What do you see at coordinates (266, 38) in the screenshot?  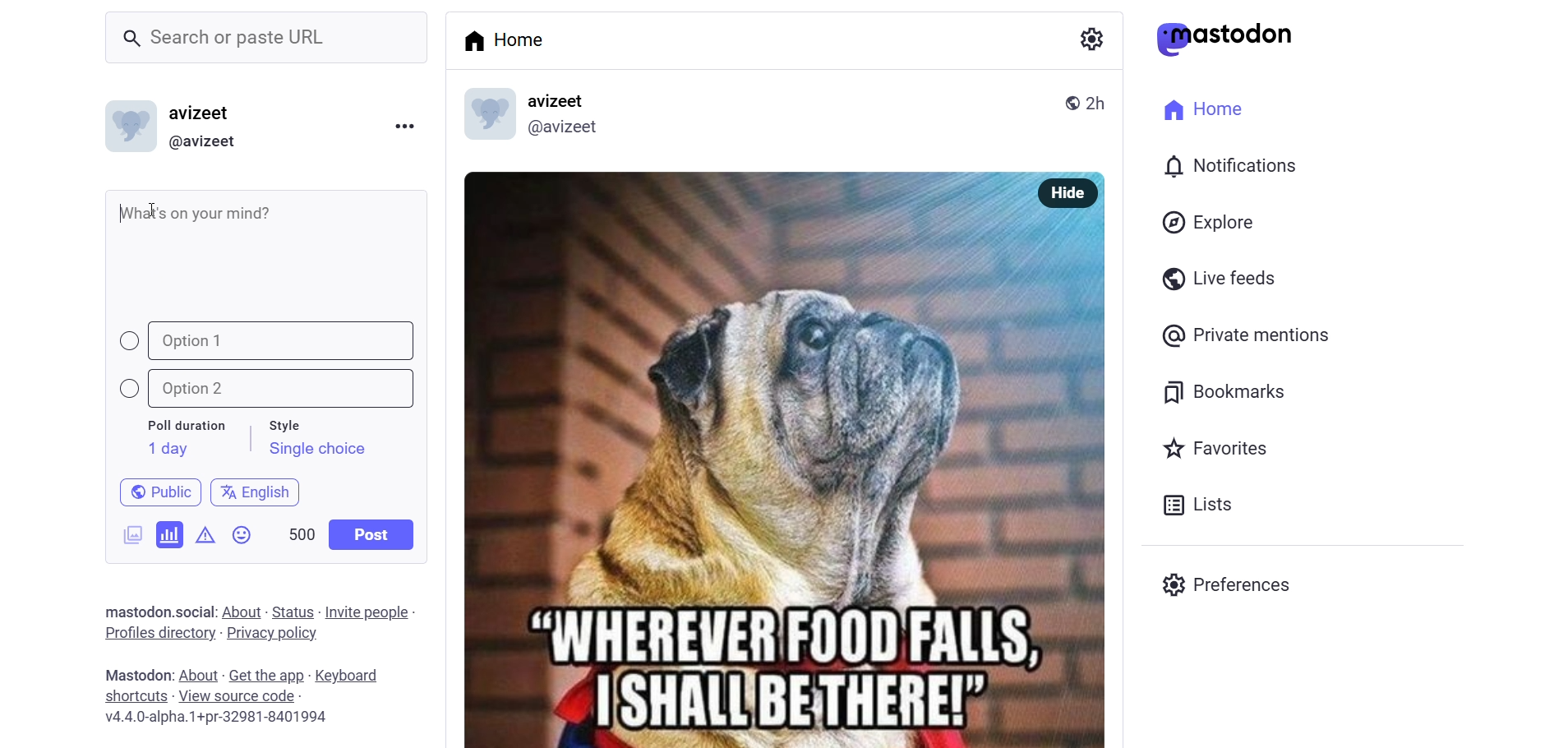 I see `Search or paste URL` at bounding box center [266, 38].